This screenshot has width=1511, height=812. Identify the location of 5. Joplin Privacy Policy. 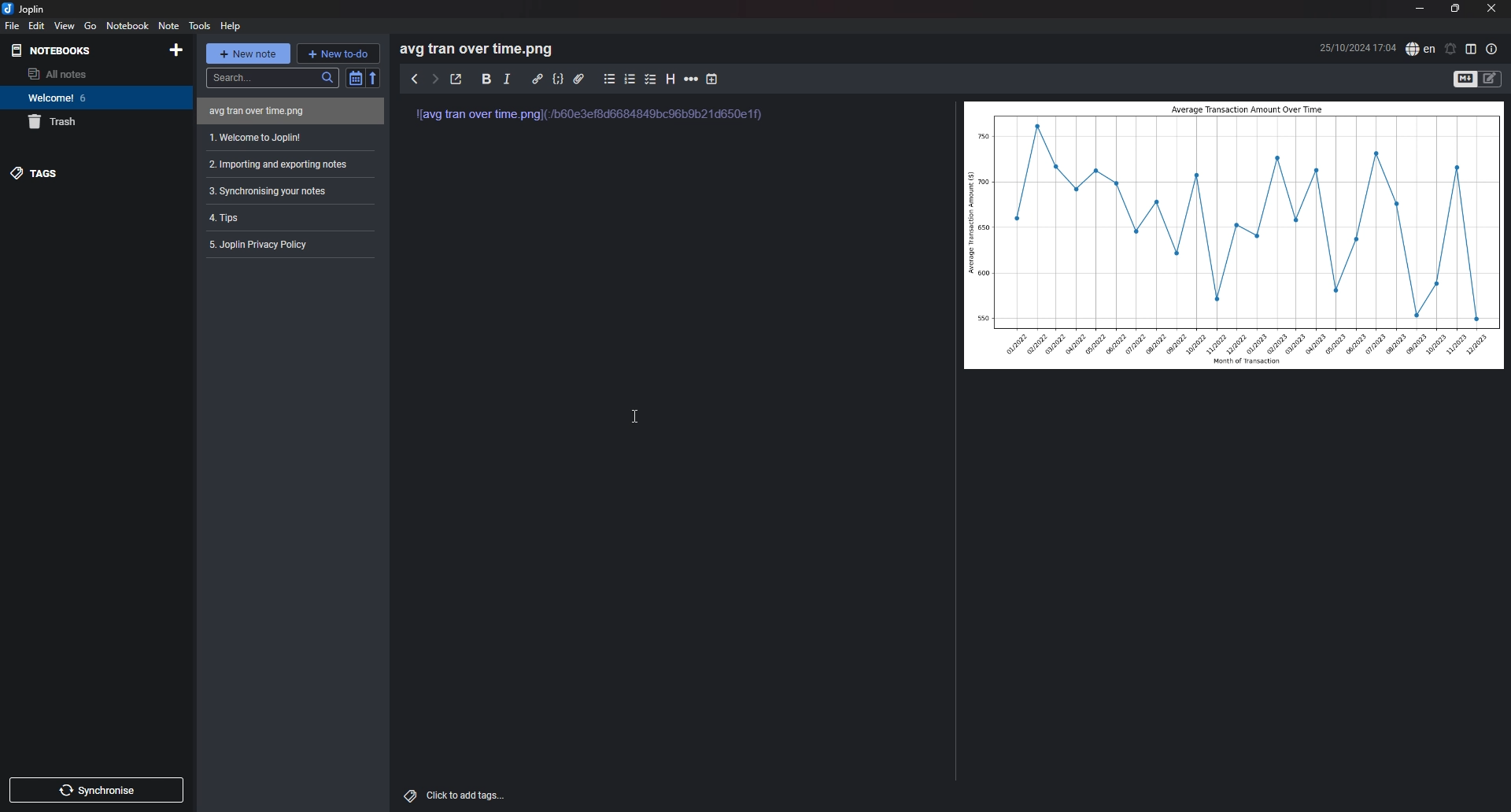
(286, 244).